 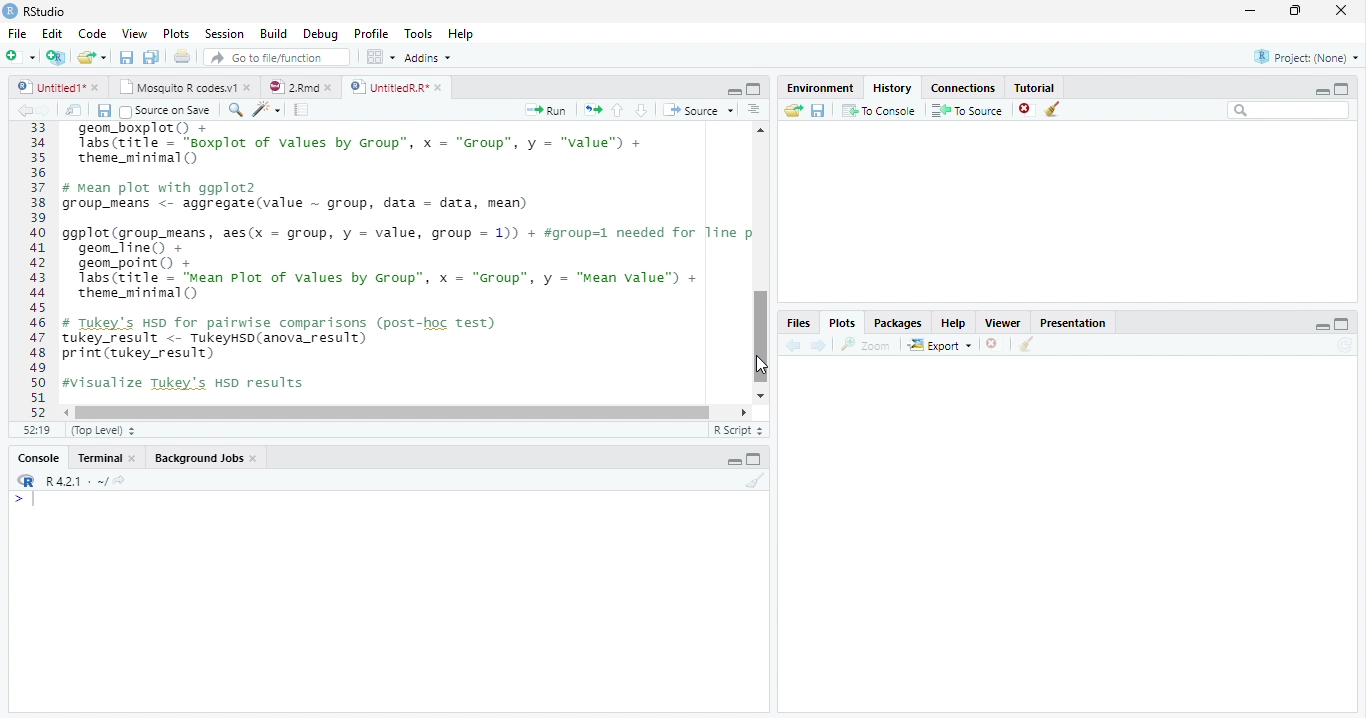 I want to click on R 4.2.1 ~/, so click(x=77, y=481).